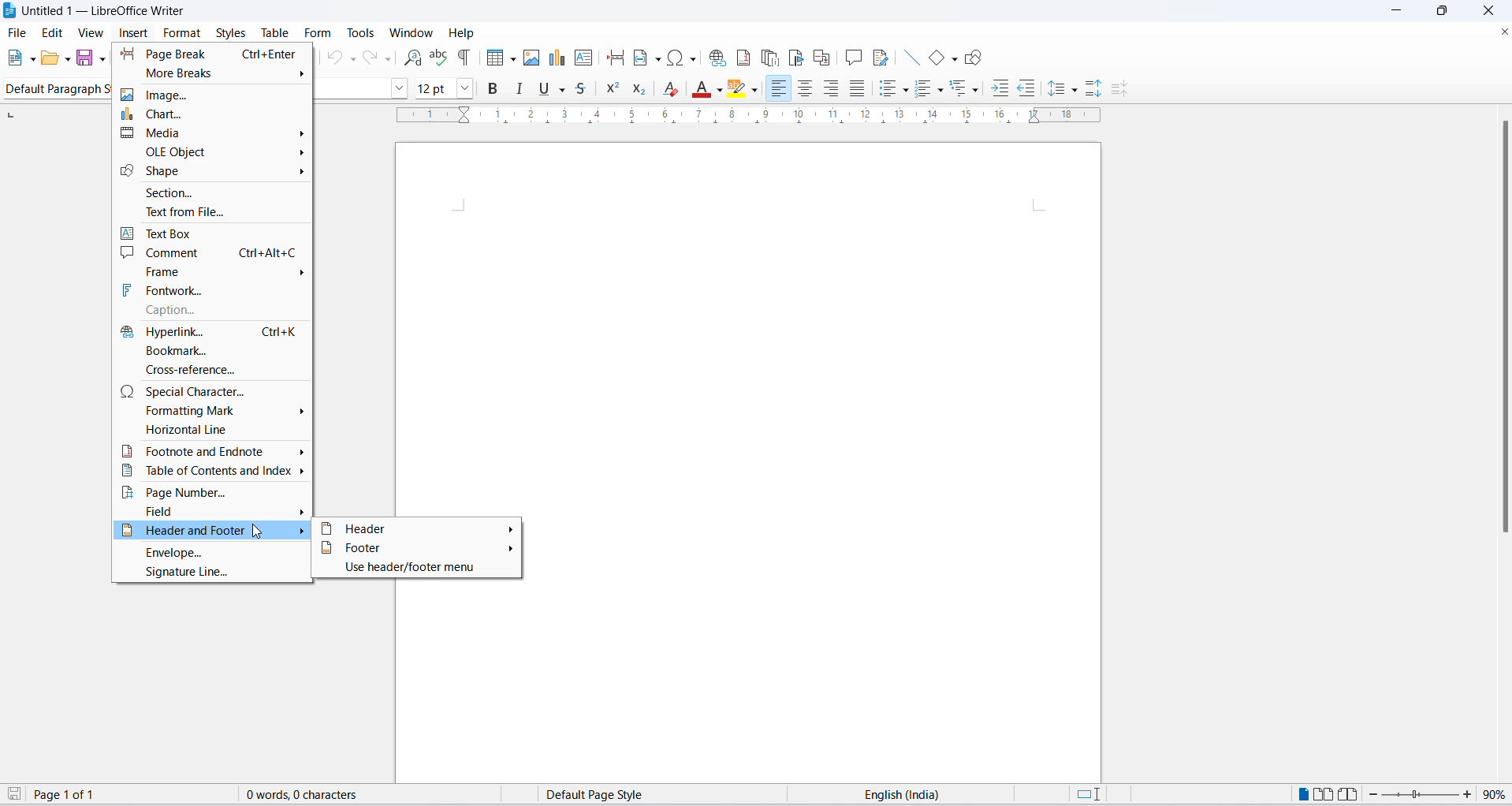 The width and height of the screenshot is (1512, 806). Describe the element at coordinates (208, 349) in the screenshot. I see `bookmark` at that location.